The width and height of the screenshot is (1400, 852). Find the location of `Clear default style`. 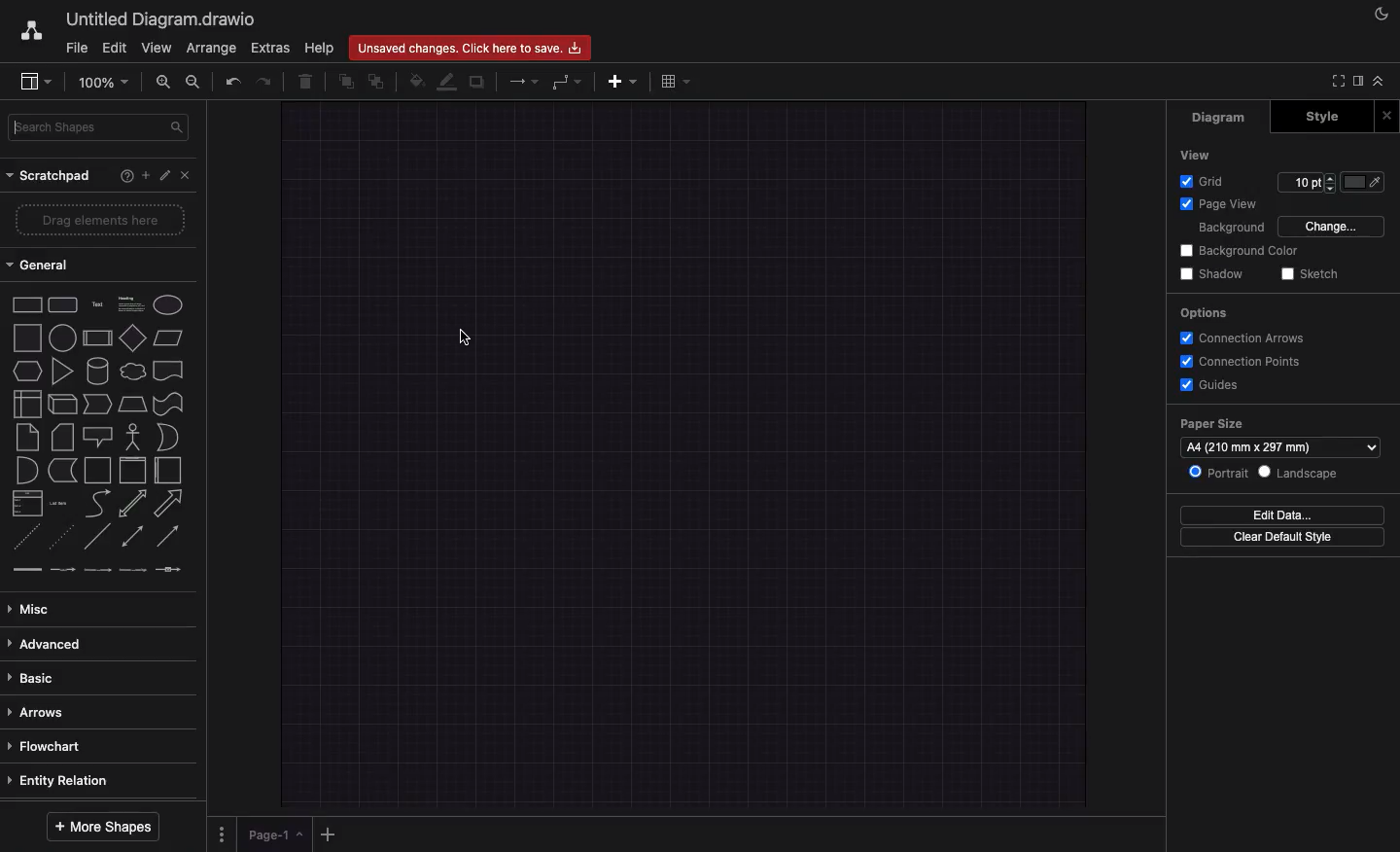

Clear default style is located at coordinates (1283, 536).